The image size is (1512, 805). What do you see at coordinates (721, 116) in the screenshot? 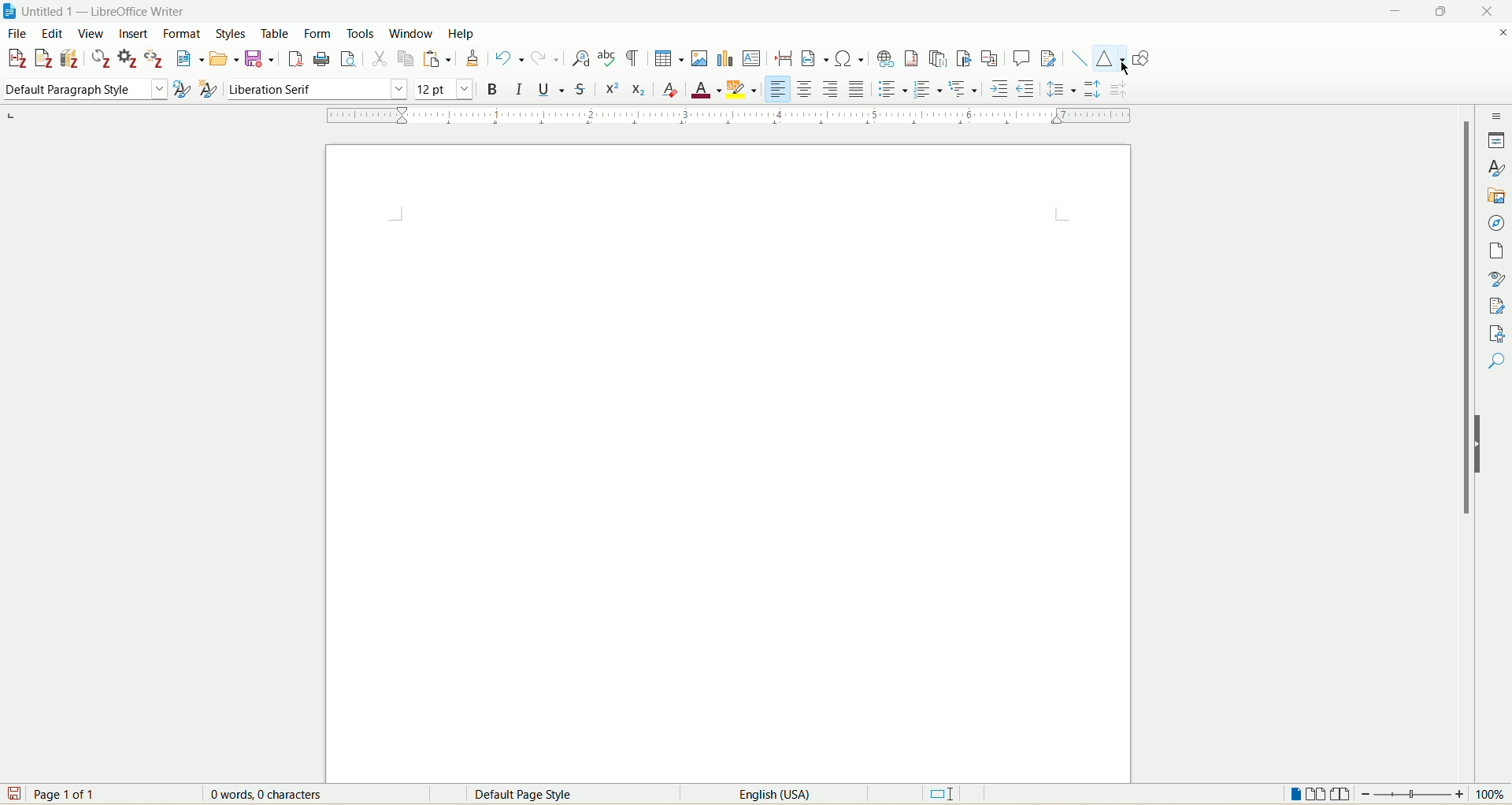
I see `ruler` at bounding box center [721, 116].